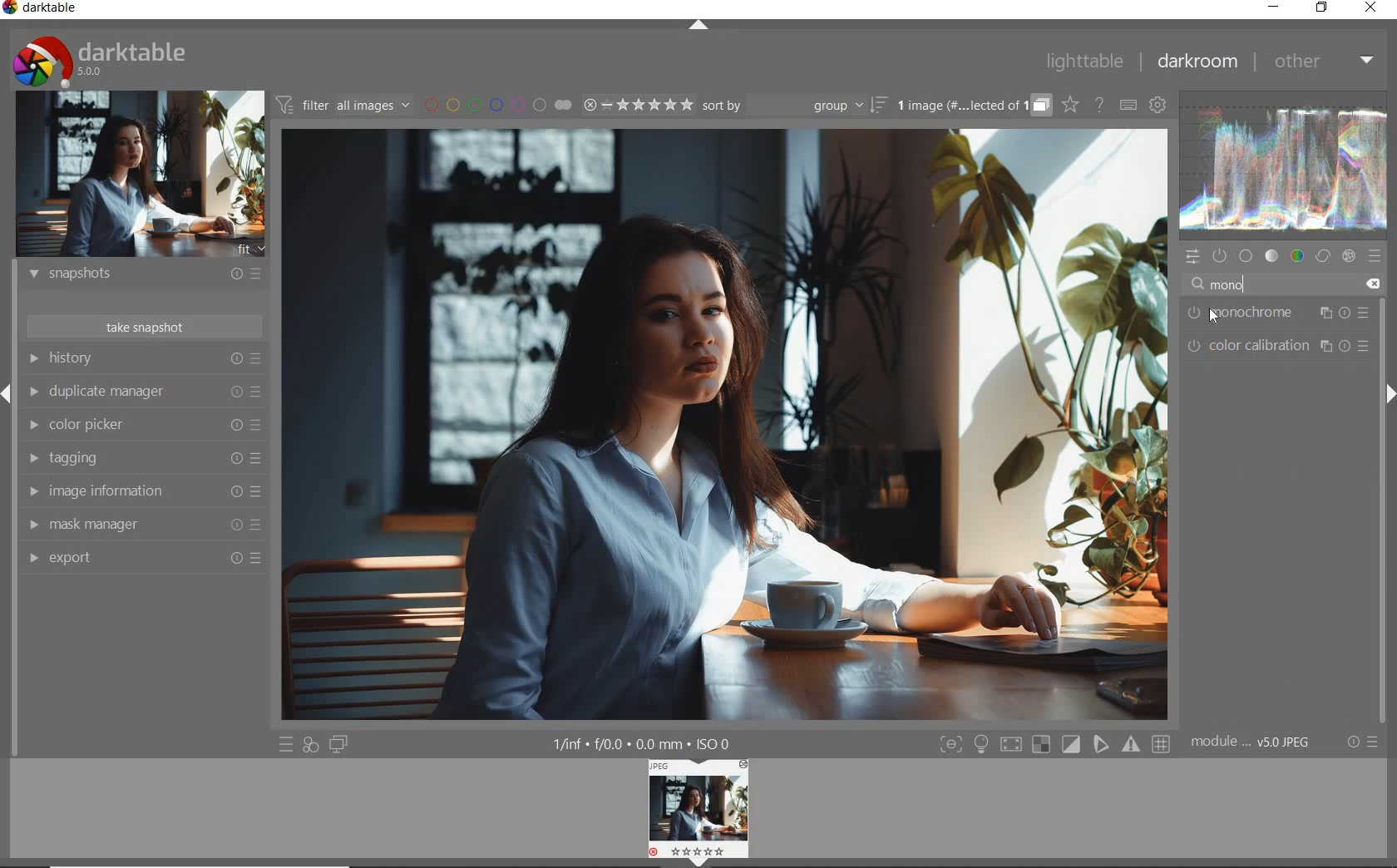 The image size is (1397, 868). Describe the element at coordinates (1273, 256) in the screenshot. I see `tone` at that location.